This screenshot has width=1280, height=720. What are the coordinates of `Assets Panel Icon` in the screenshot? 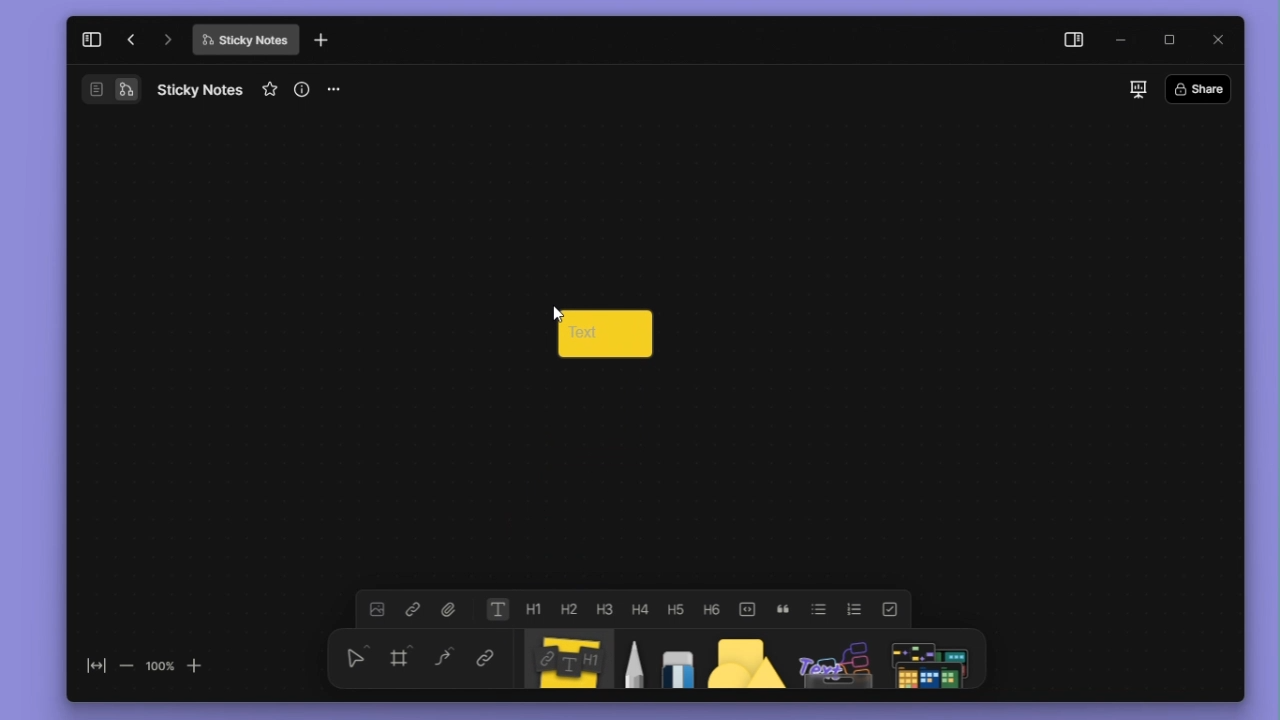 It's located at (833, 663).